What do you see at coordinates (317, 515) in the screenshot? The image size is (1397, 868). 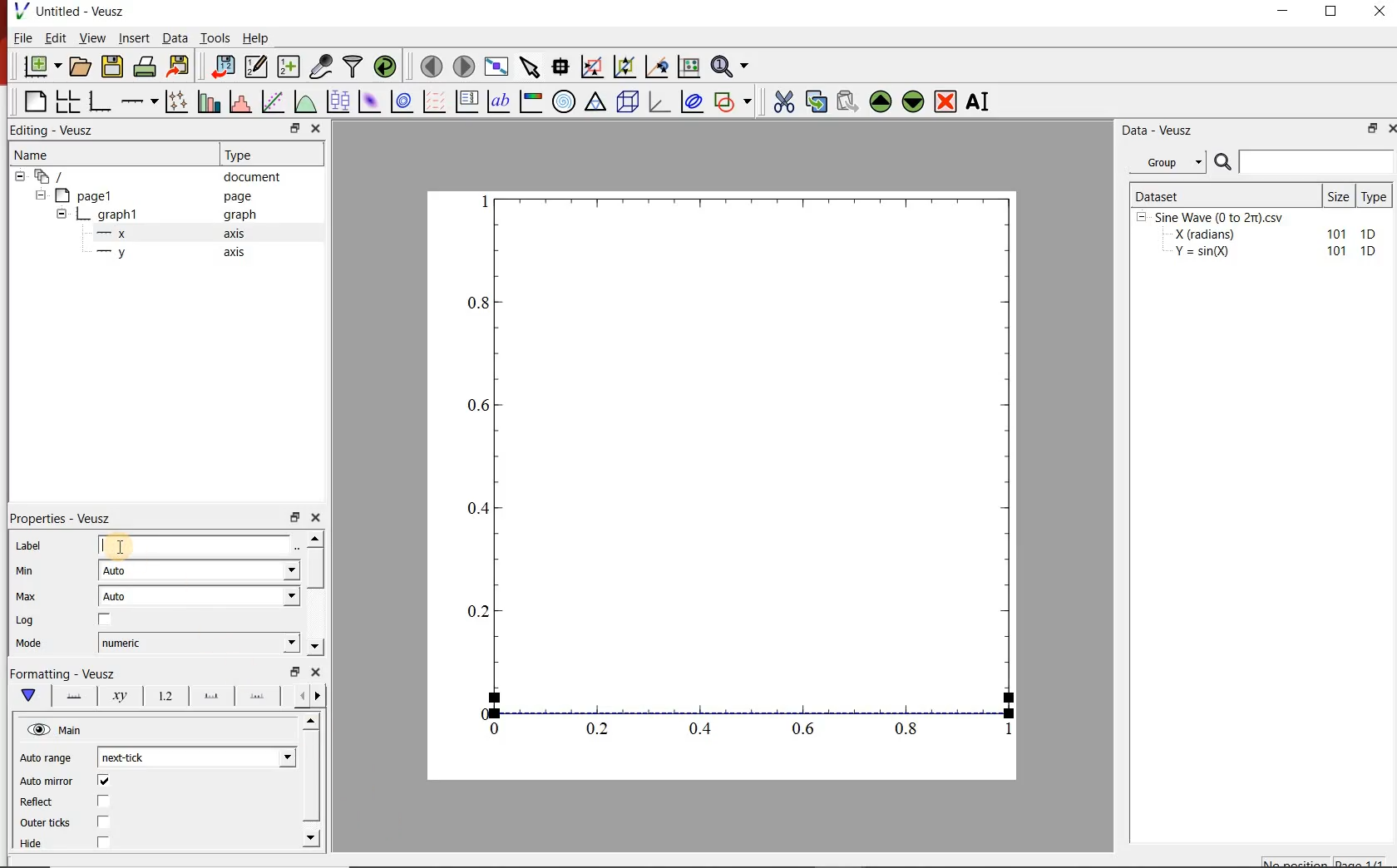 I see `Close` at bounding box center [317, 515].